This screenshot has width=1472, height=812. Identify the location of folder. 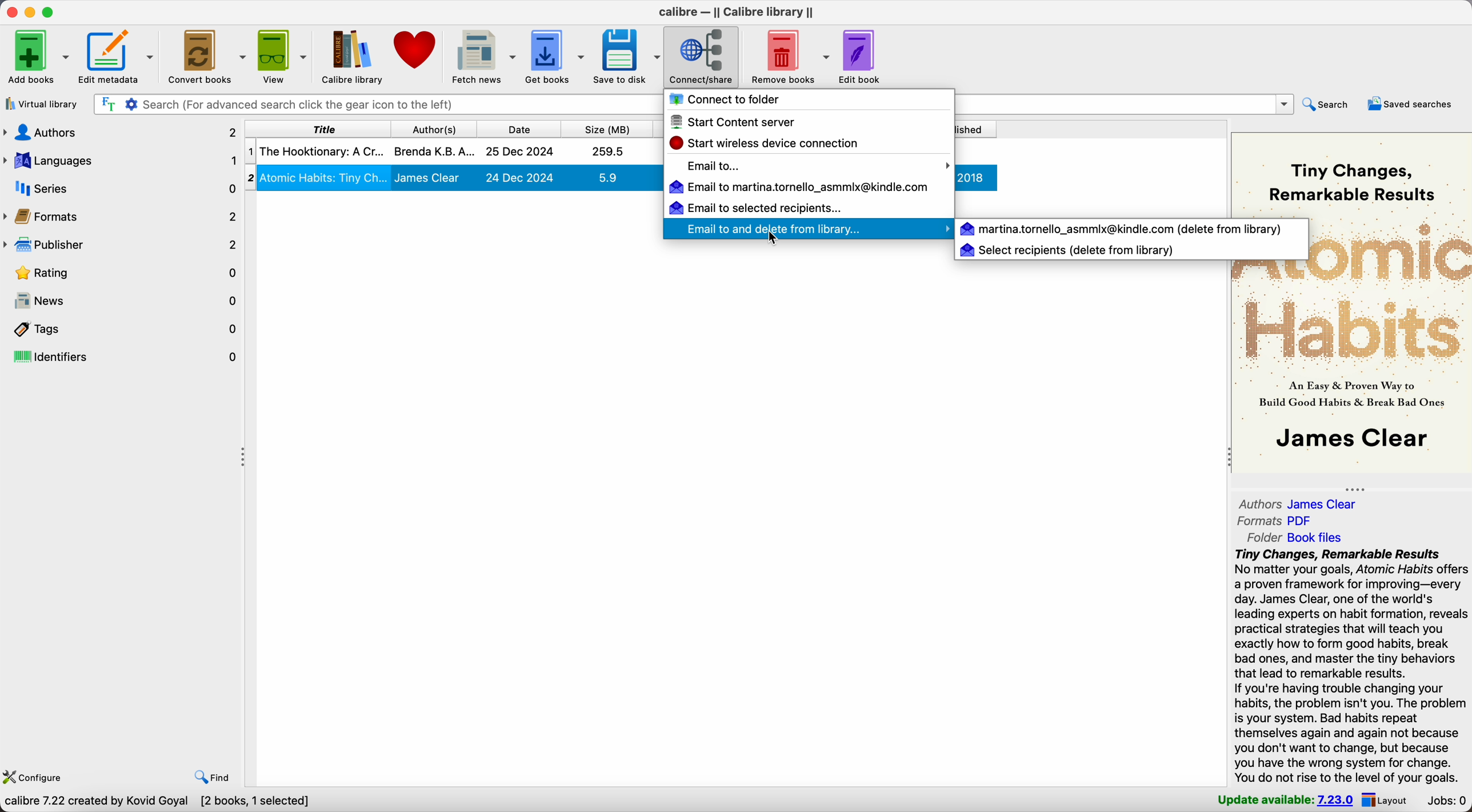
(1290, 538).